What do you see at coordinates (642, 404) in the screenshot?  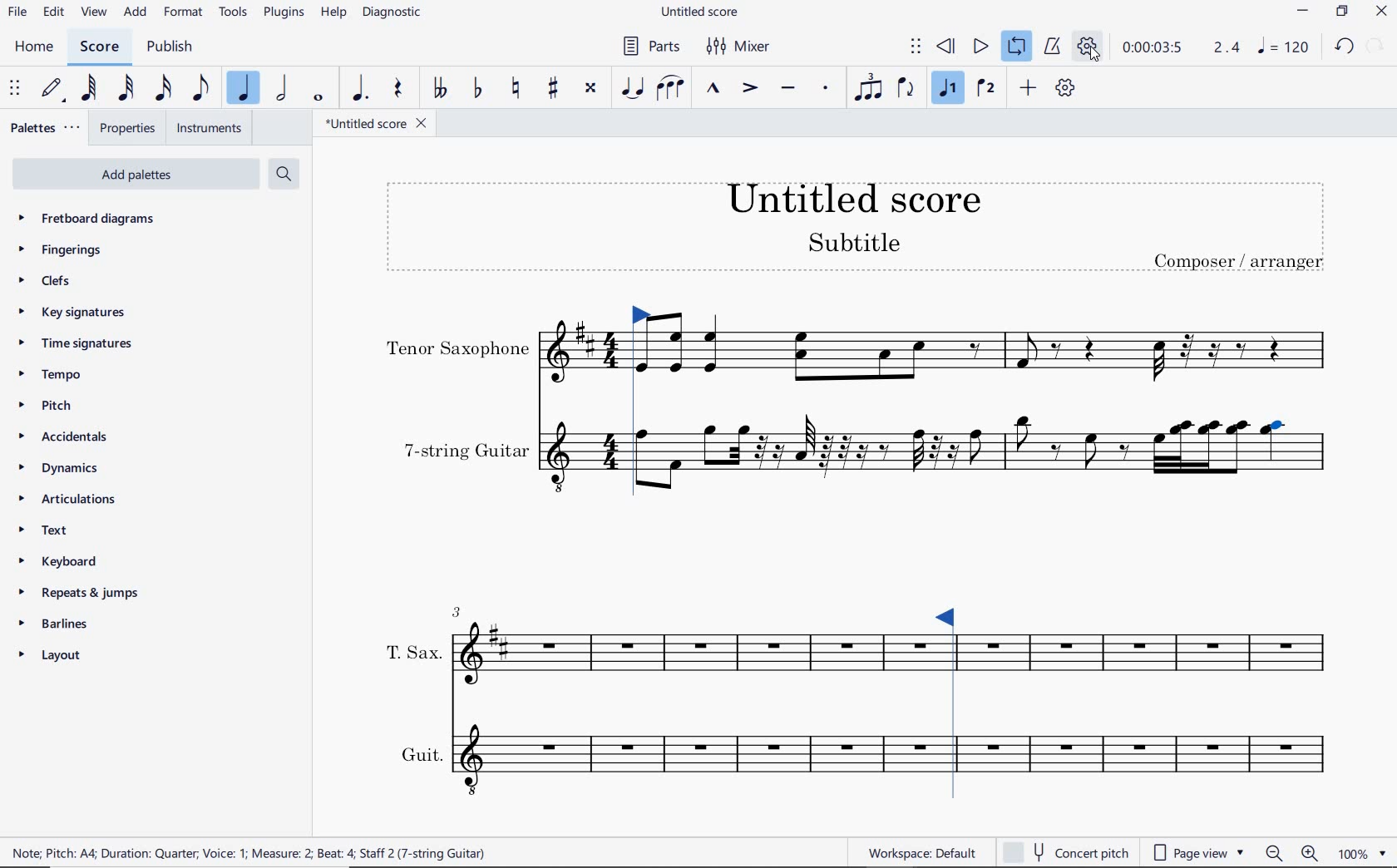 I see `Loop Market set left` at bounding box center [642, 404].